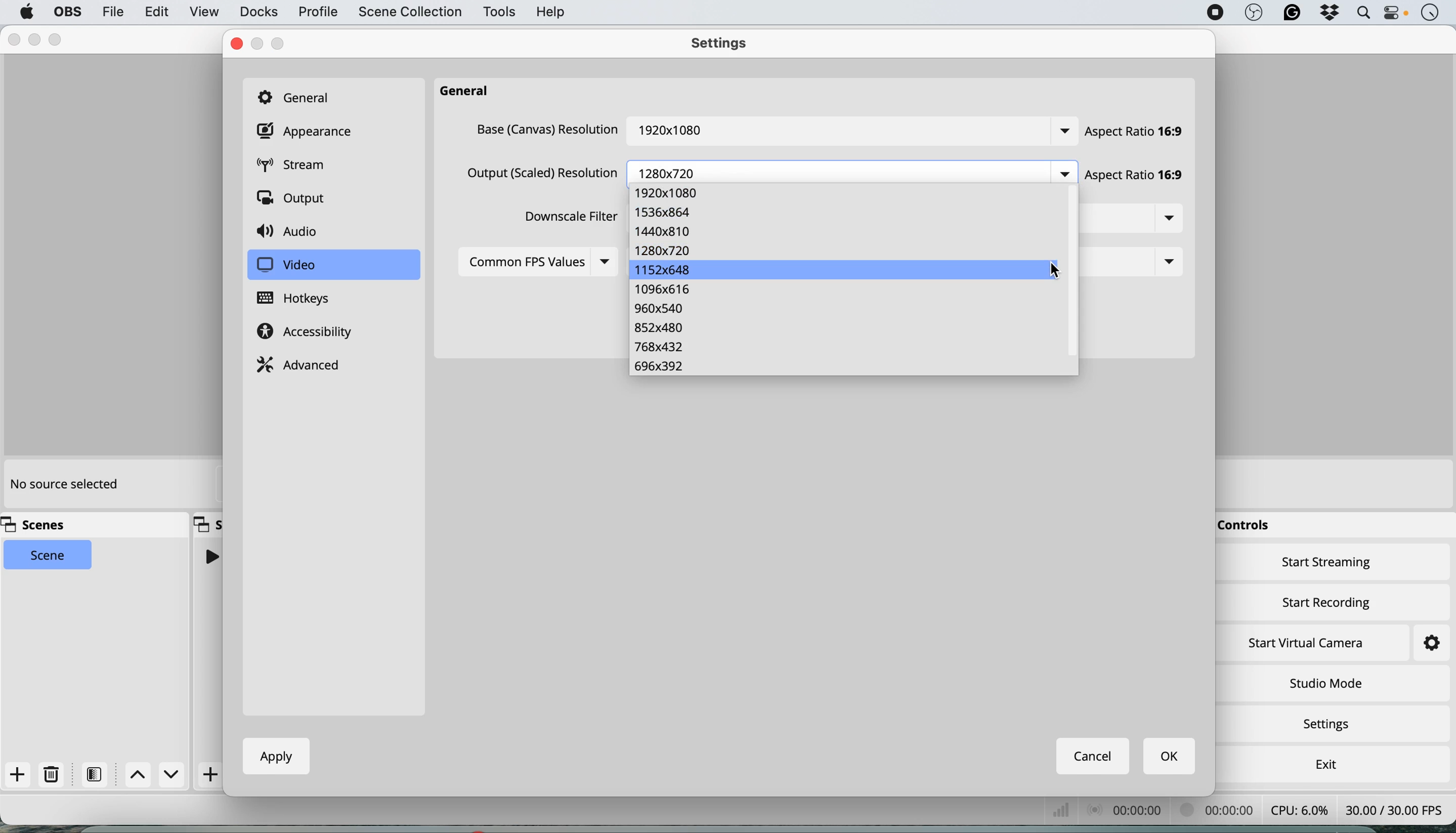 The height and width of the screenshot is (833, 1456). What do you see at coordinates (663, 249) in the screenshot?
I see `1280x720` at bounding box center [663, 249].